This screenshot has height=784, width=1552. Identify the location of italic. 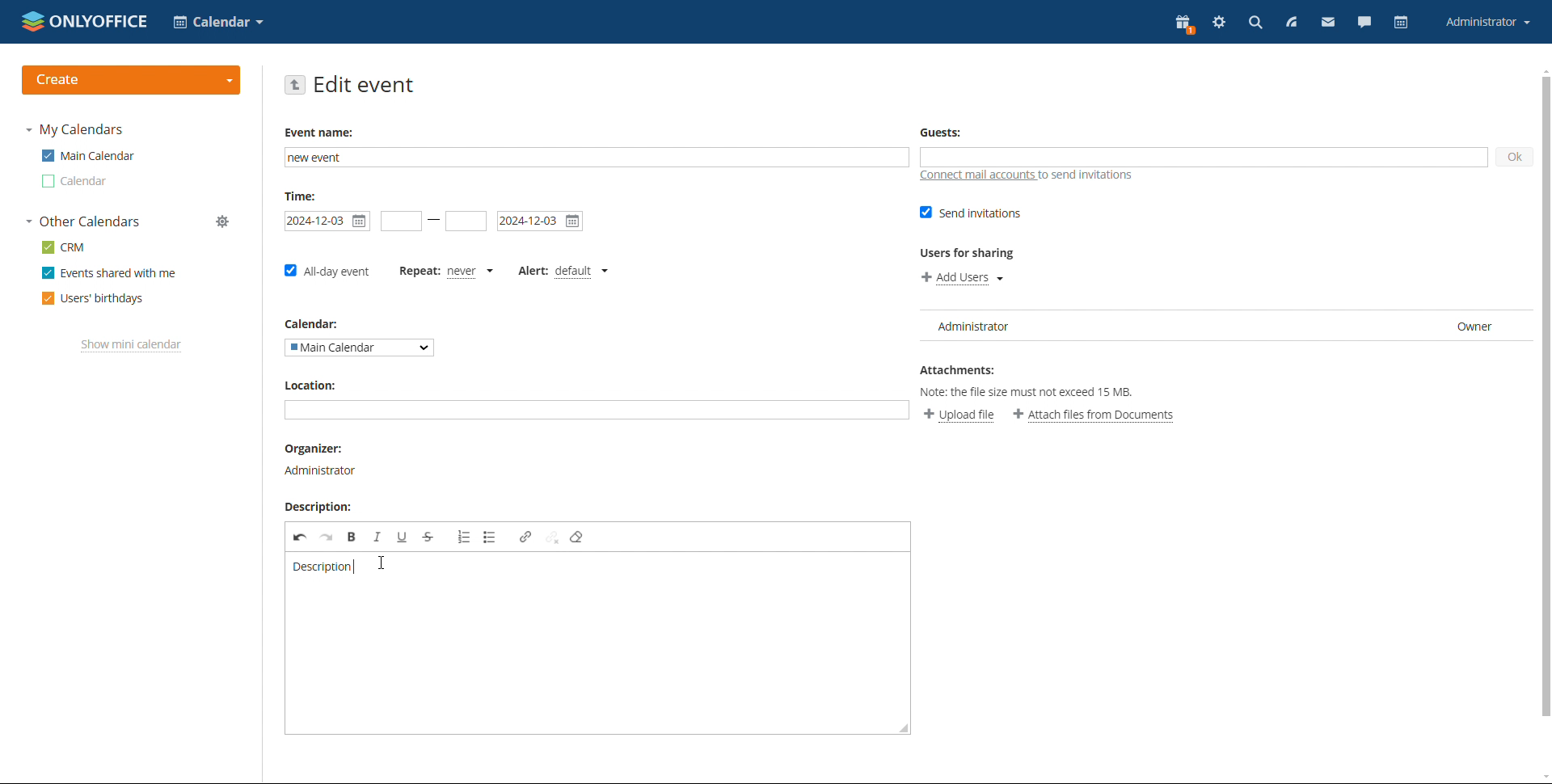
(377, 536).